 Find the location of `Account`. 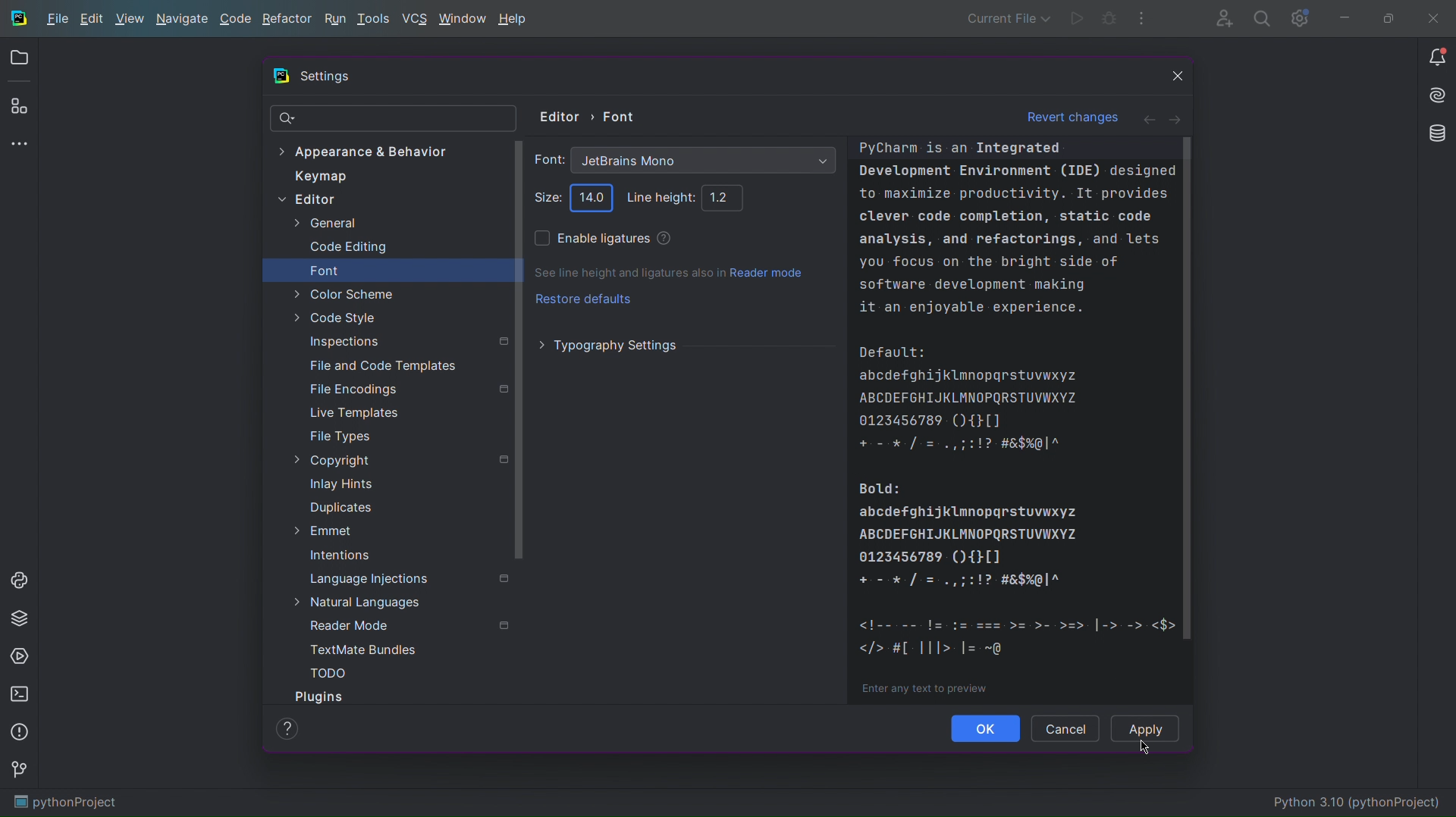

Account is located at coordinates (1221, 17).